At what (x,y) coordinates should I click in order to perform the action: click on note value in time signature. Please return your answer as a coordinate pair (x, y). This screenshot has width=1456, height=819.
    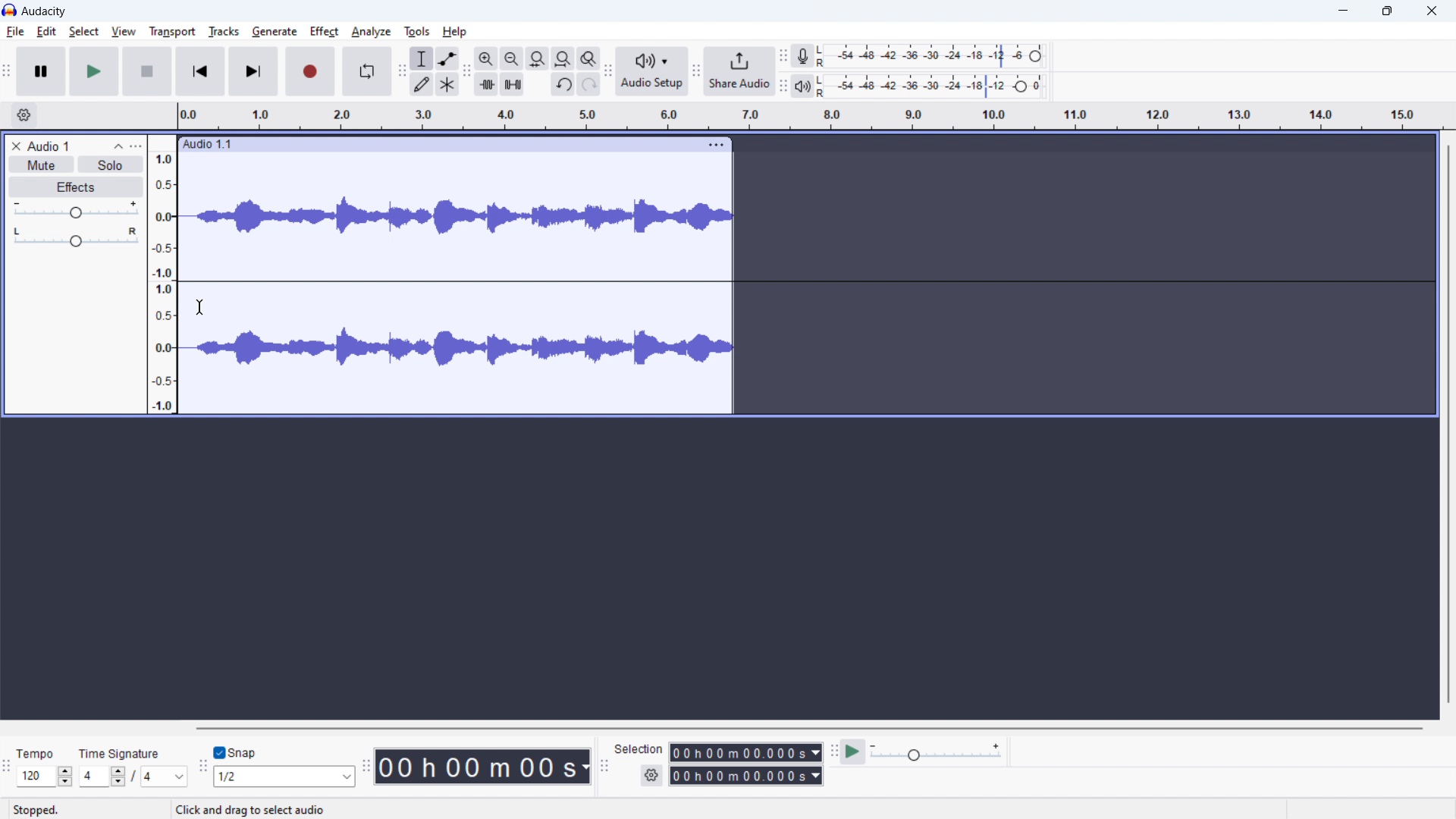
    Looking at the image, I should click on (168, 778).